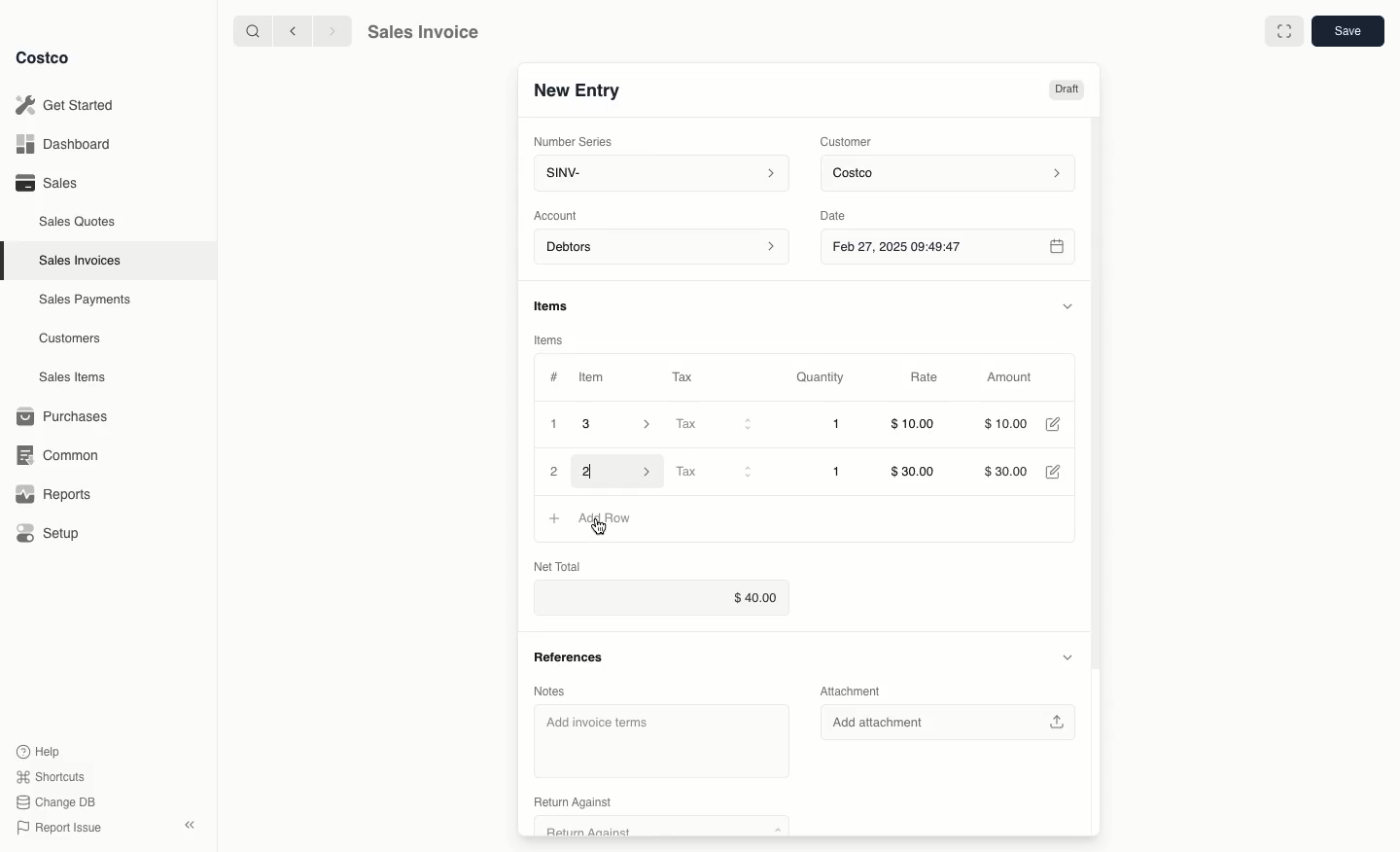 This screenshot has height=852, width=1400. Describe the element at coordinates (83, 260) in the screenshot. I see `Sales Invoices` at that location.